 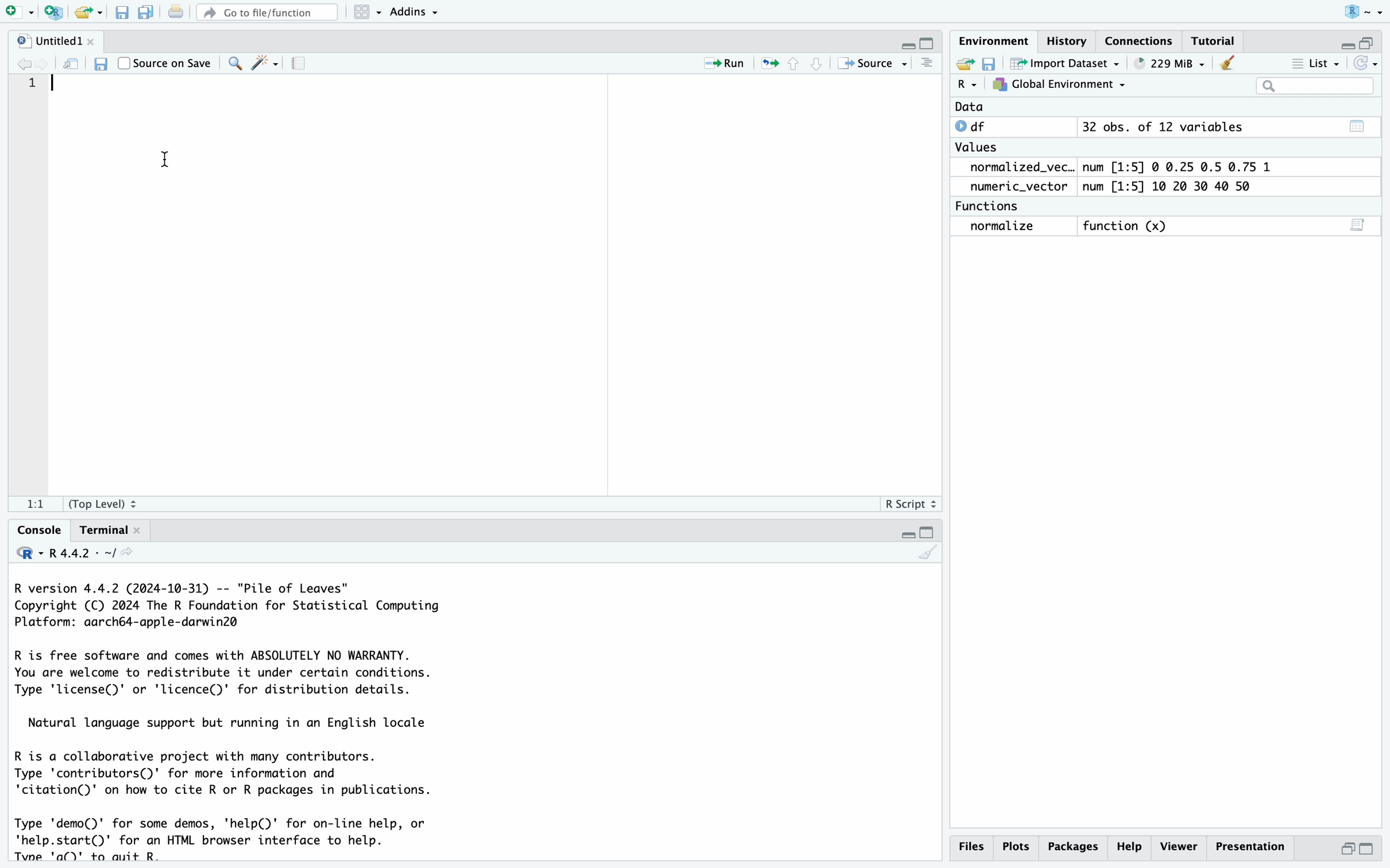 What do you see at coordinates (1345, 45) in the screenshot?
I see `minimize` at bounding box center [1345, 45].